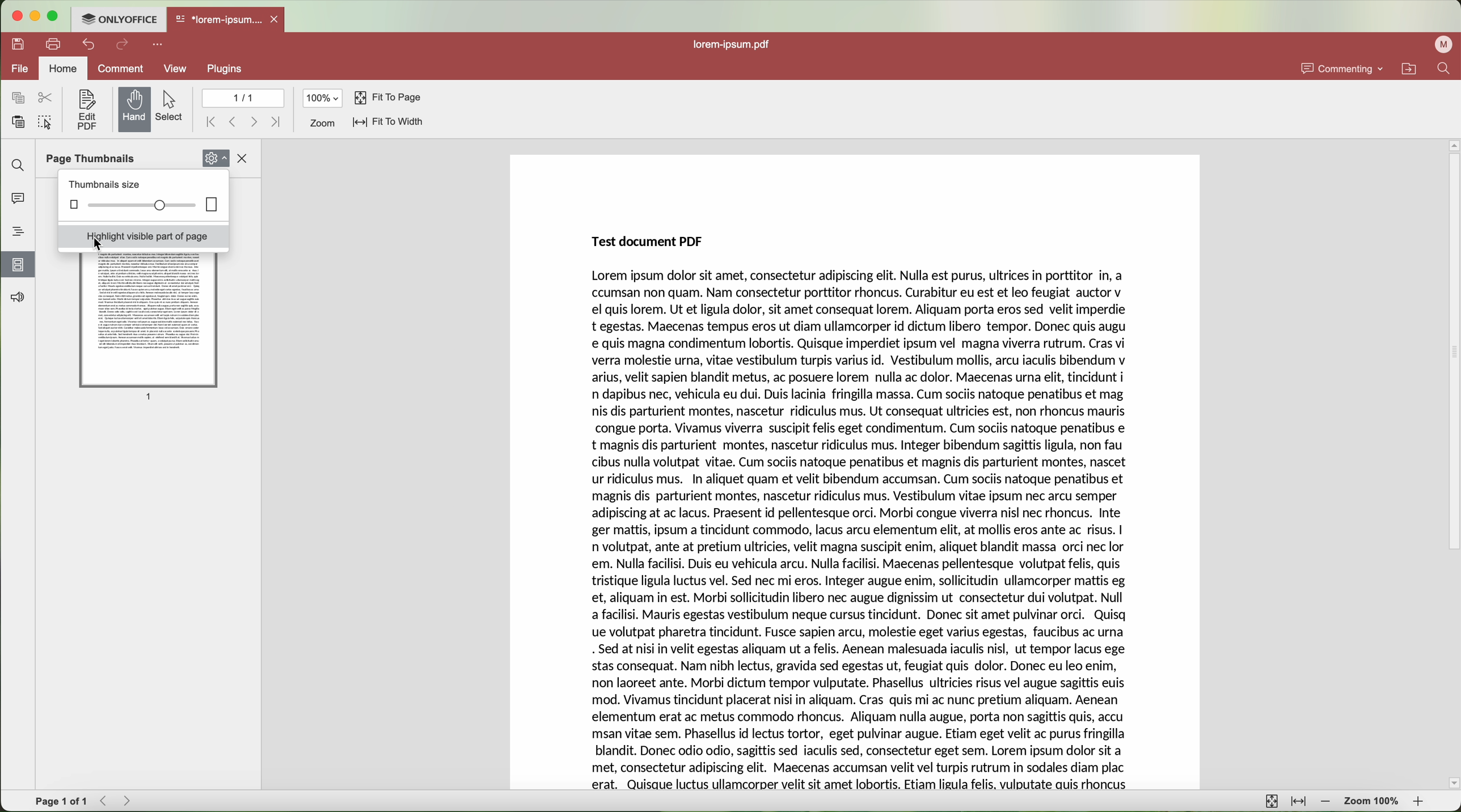  I want to click on click on page thumbnails, so click(18, 264).